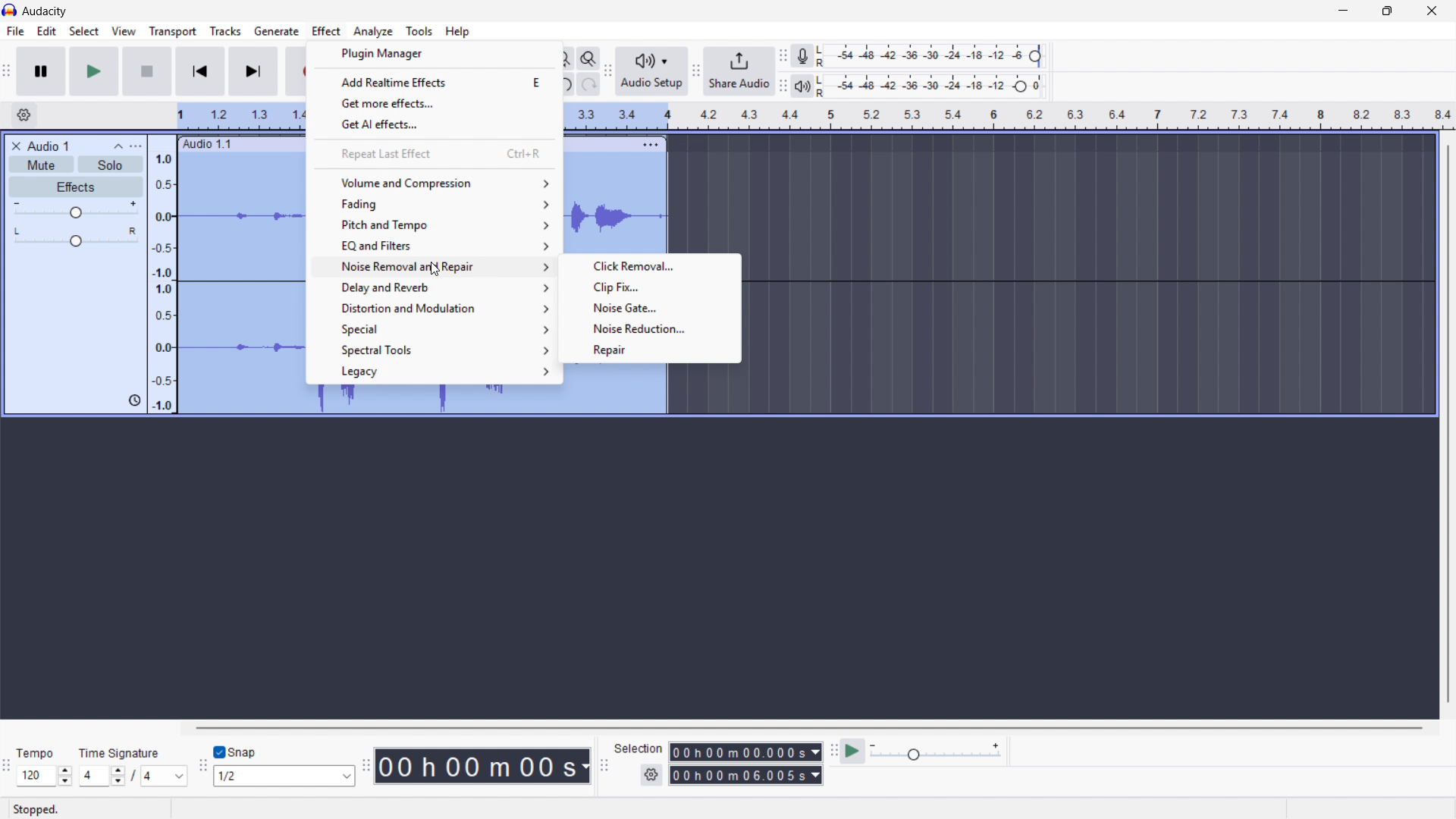 The width and height of the screenshot is (1456, 819). What do you see at coordinates (807, 728) in the screenshot?
I see `Horizontal scroll bar` at bounding box center [807, 728].